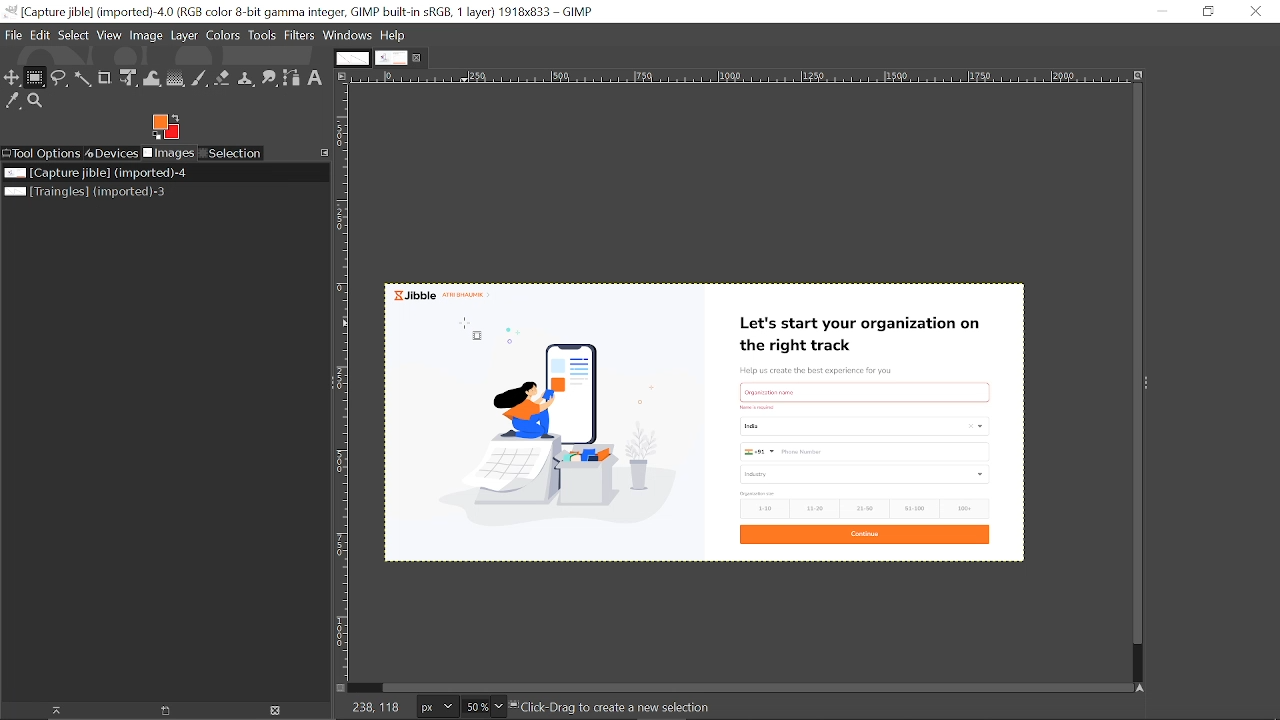 This screenshot has height=720, width=1280. What do you see at coordinates (110, 36) in the screenshot?
I see `View` at bounding box center [110, 36].